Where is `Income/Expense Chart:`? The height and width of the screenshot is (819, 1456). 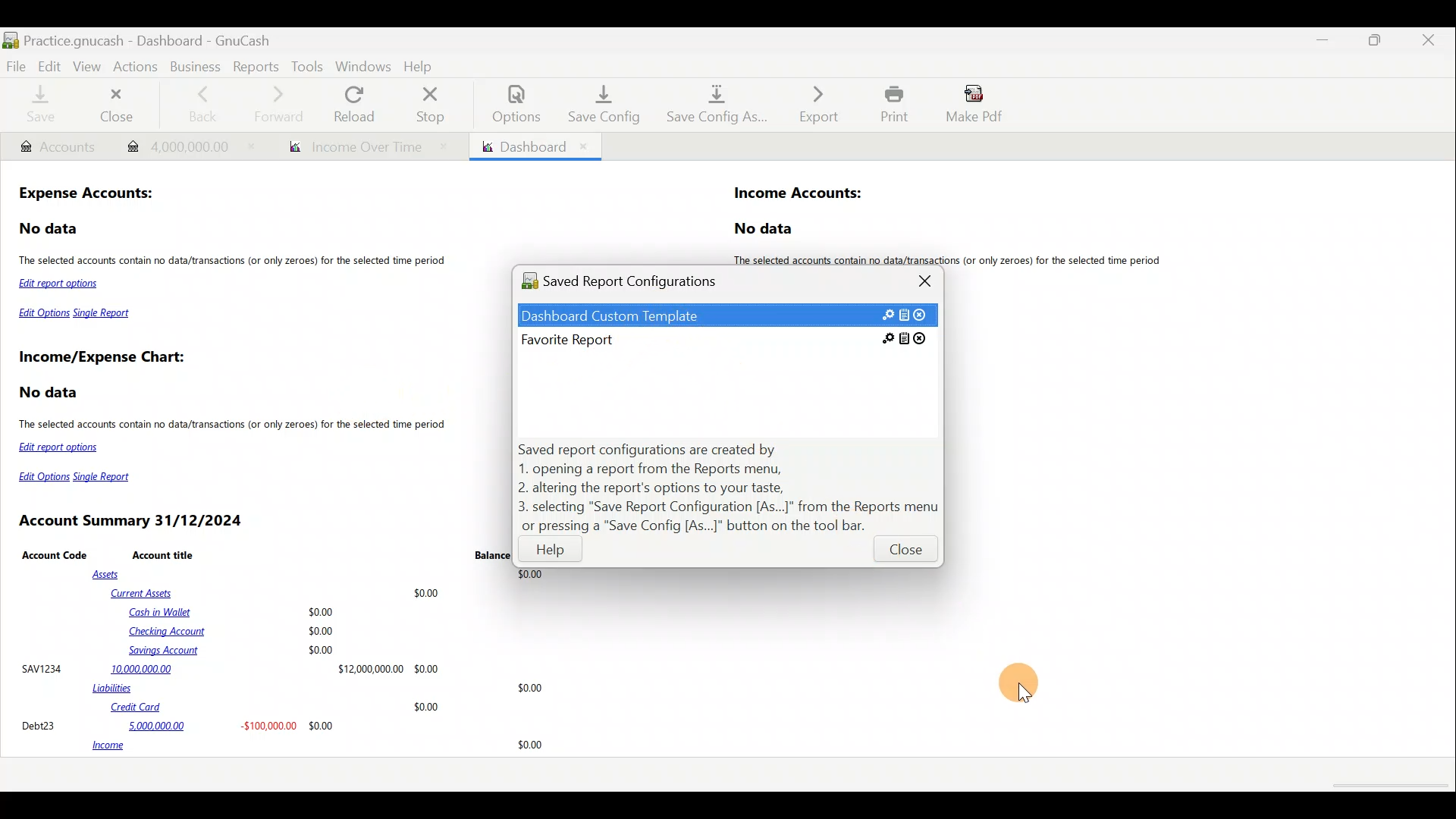 Income/Expense Chart: is located at coordinates (102, 359).